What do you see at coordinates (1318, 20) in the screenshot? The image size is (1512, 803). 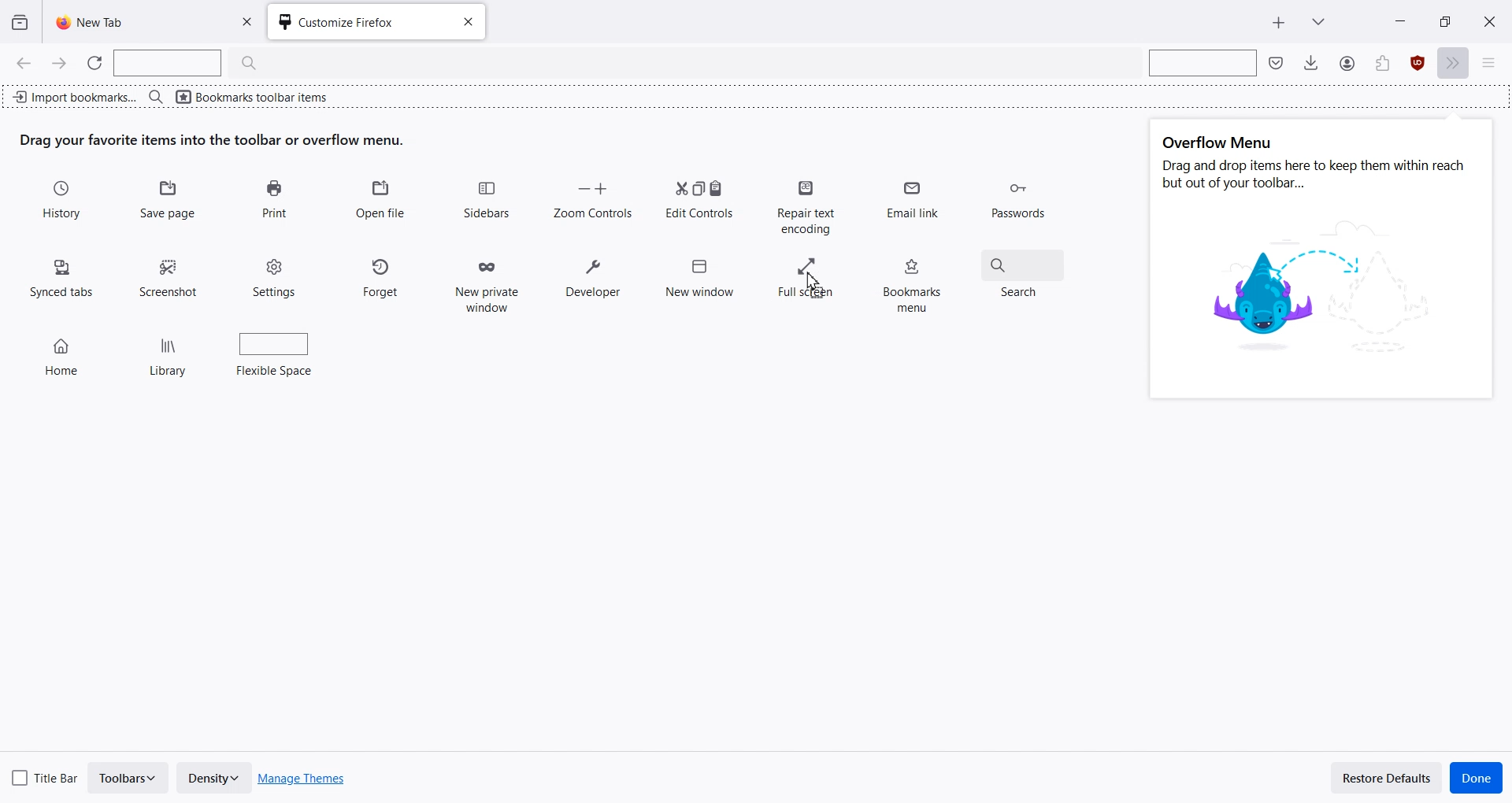 I see `List all tab` at bounding box center [1318, 20].